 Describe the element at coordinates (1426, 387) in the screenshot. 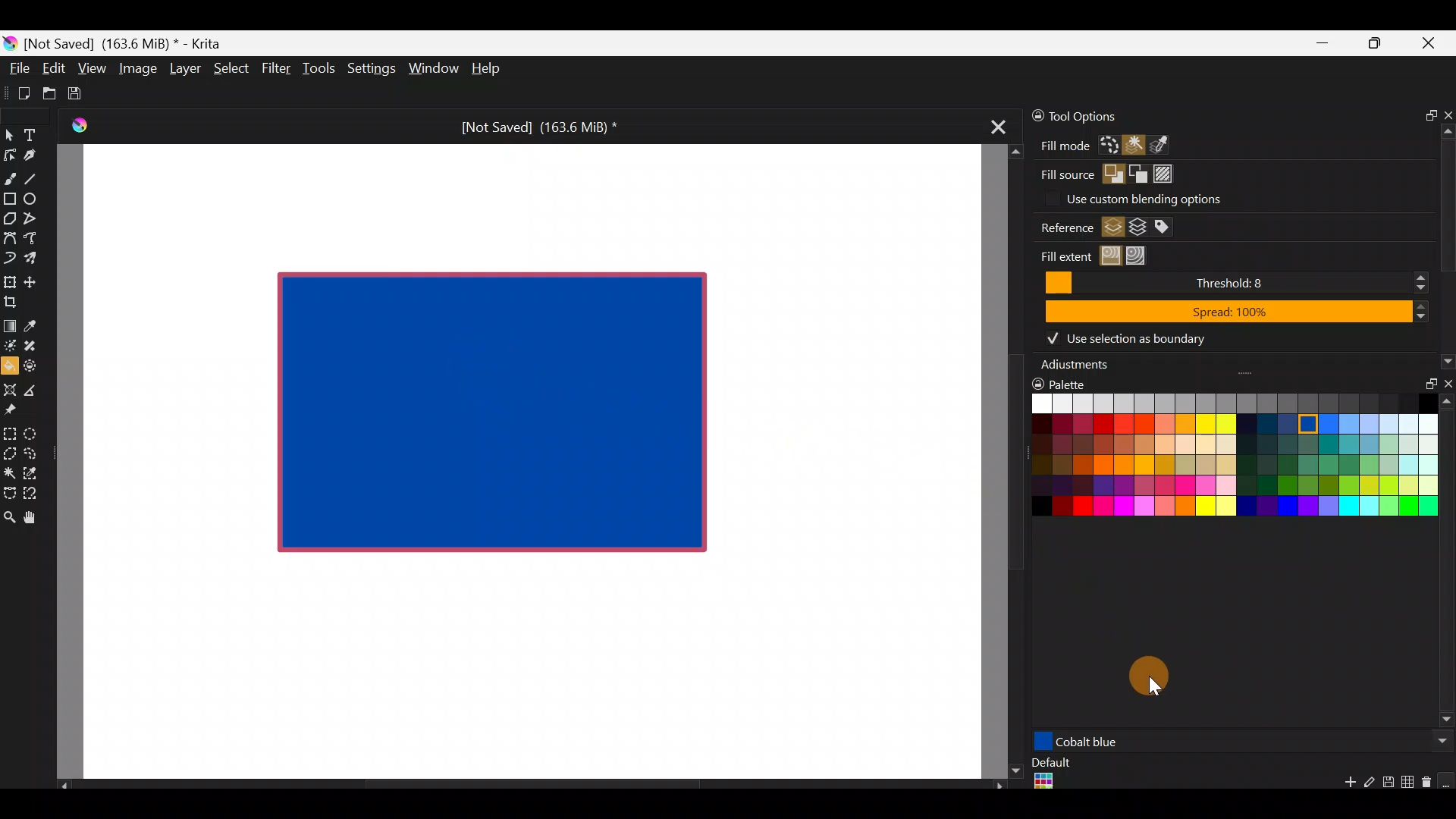

I see `Float docker` at that location.